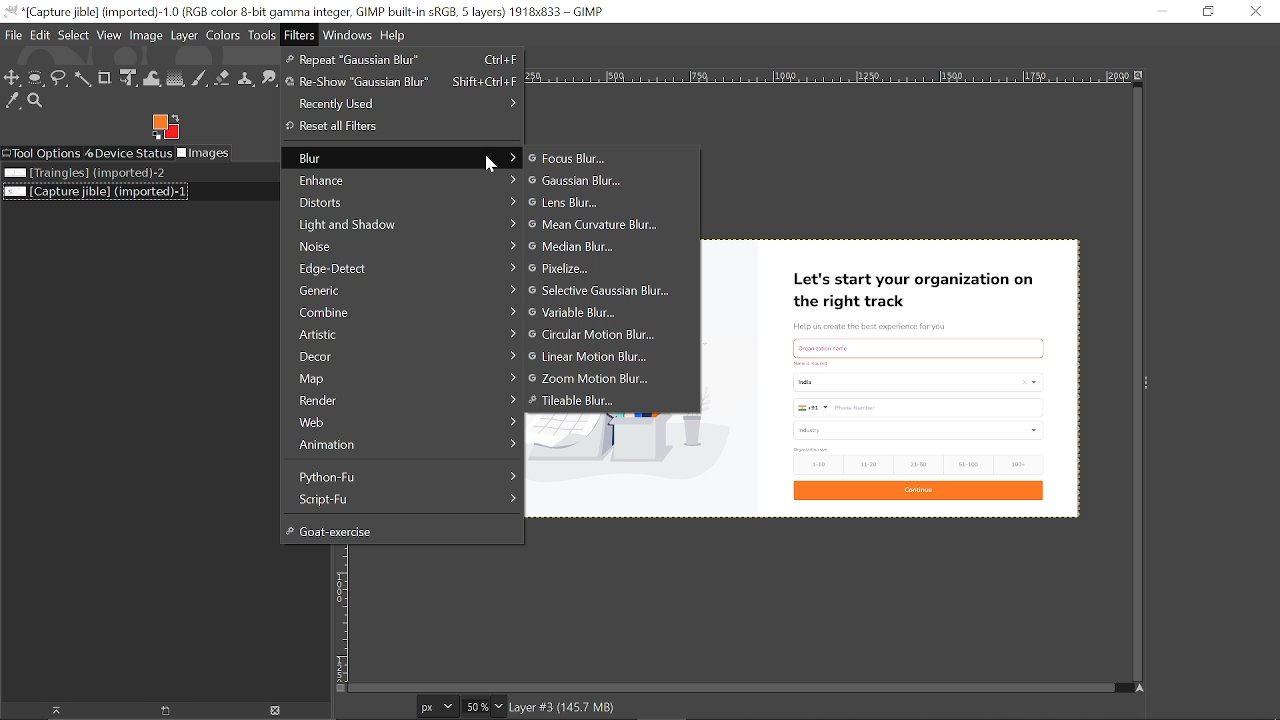  What do you see at coordinates (399, 530) in the screenshot?
I see `Goat-excercise` at bounding box center [399, 530].